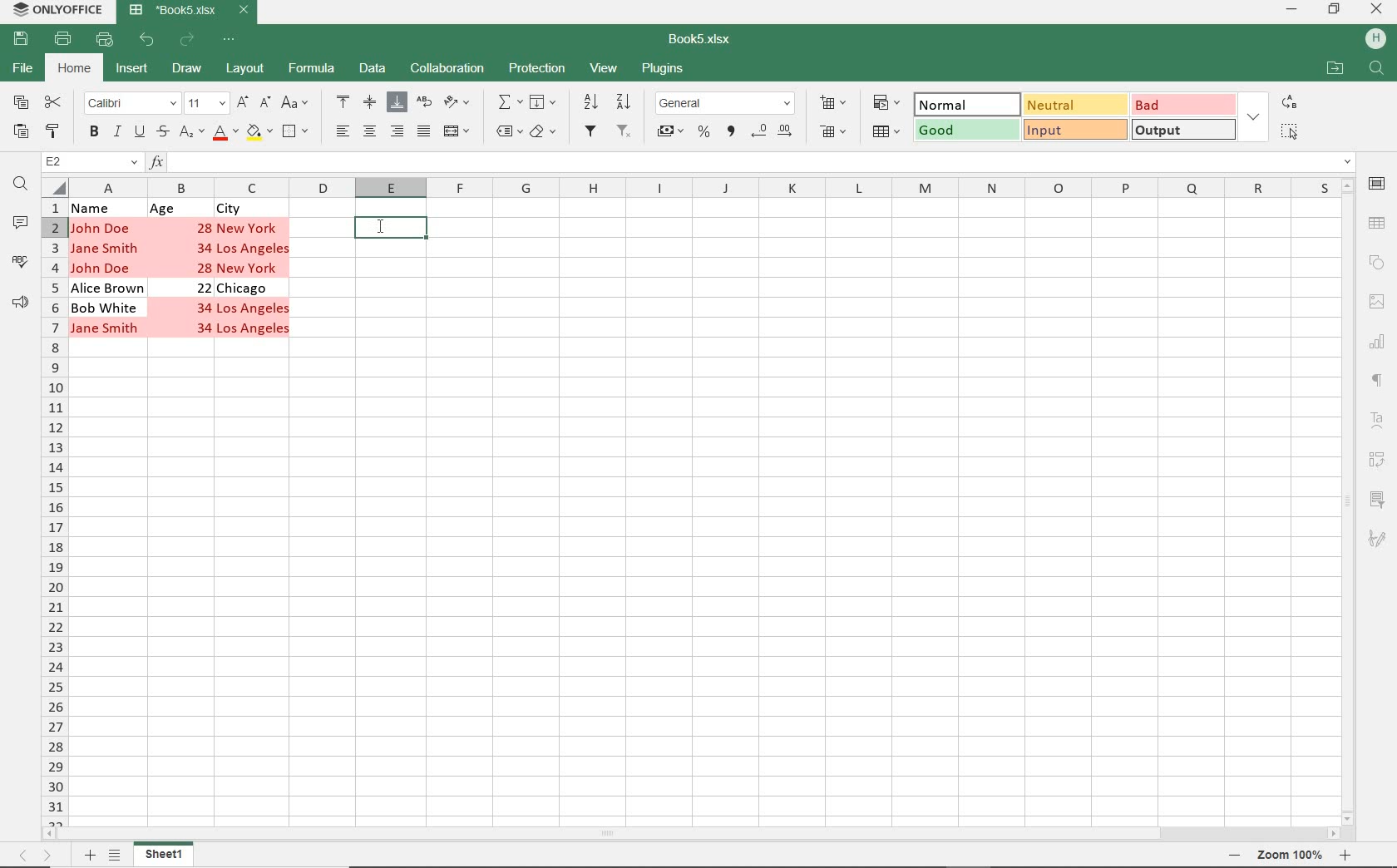 This screenshot has width=1397, height=868. Describe the element at coordinates (1336, 10) in the screenshot. I see `RESTORE DOWN` at that location.